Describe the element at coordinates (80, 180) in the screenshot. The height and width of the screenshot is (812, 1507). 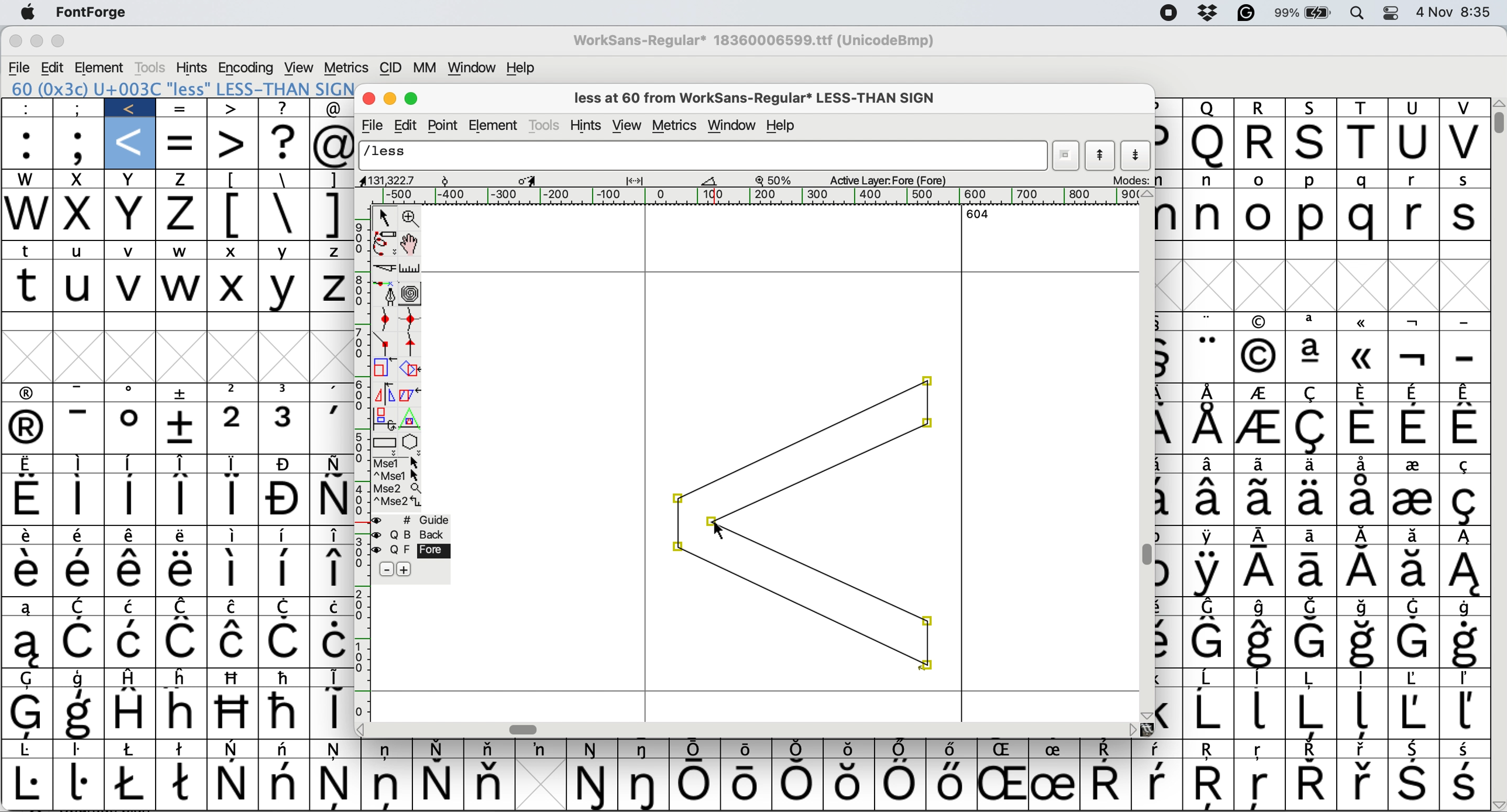
I see `x` at that location.